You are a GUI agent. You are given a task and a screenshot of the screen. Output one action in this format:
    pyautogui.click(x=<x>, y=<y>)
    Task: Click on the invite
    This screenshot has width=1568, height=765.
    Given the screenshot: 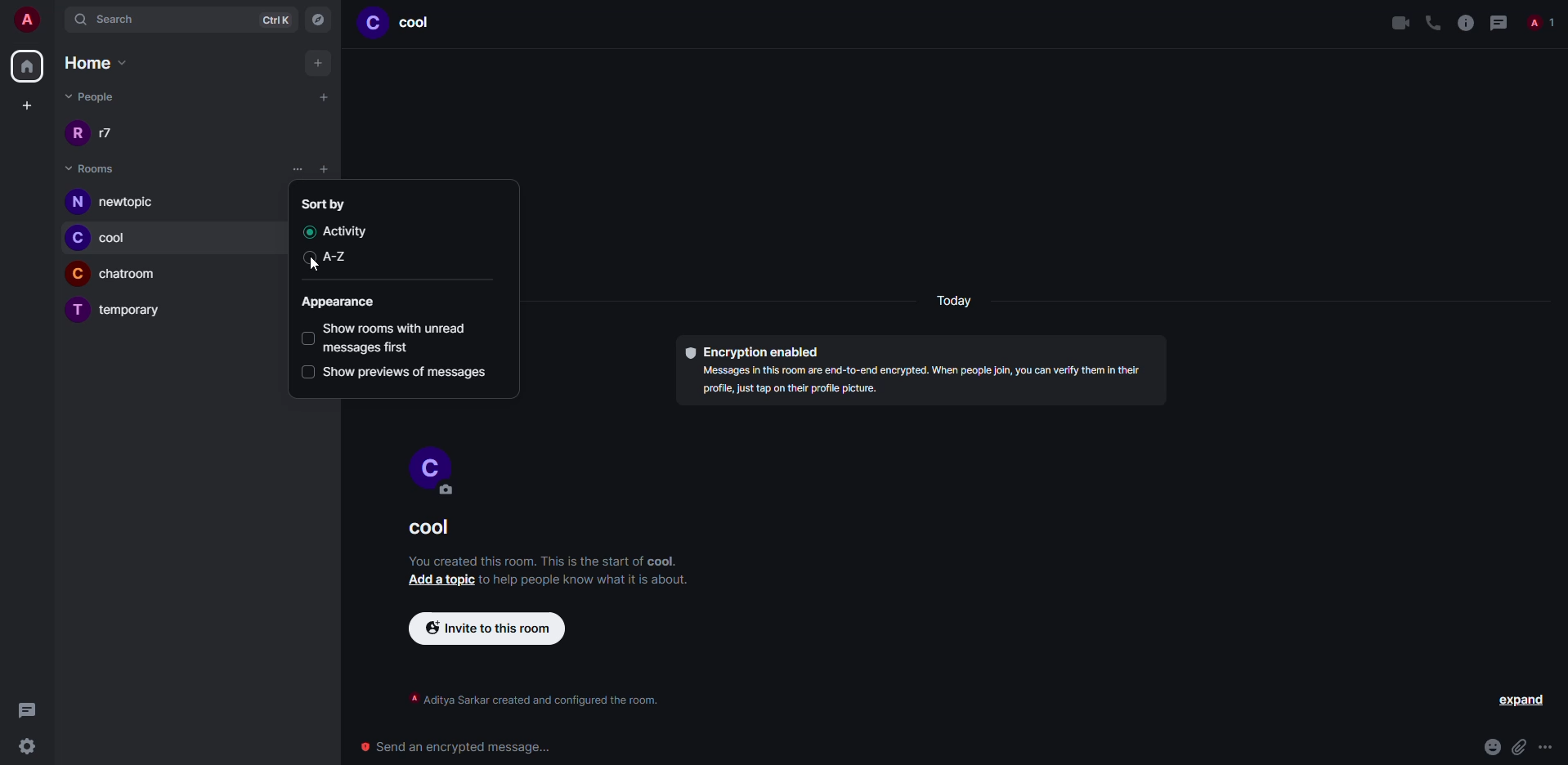 What is the action you would take?
    pyautogui.click(x=486, y=629)
    